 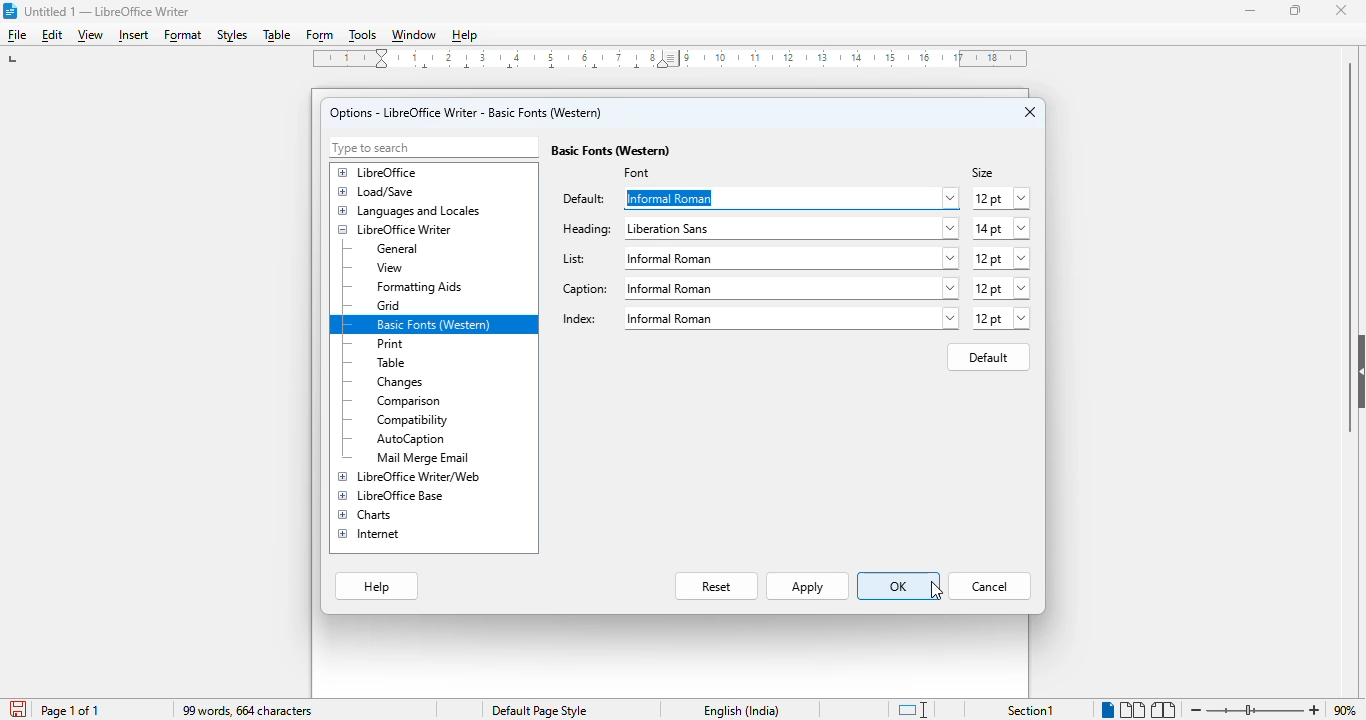 I want to click on grid, so click(x=390, y=307).